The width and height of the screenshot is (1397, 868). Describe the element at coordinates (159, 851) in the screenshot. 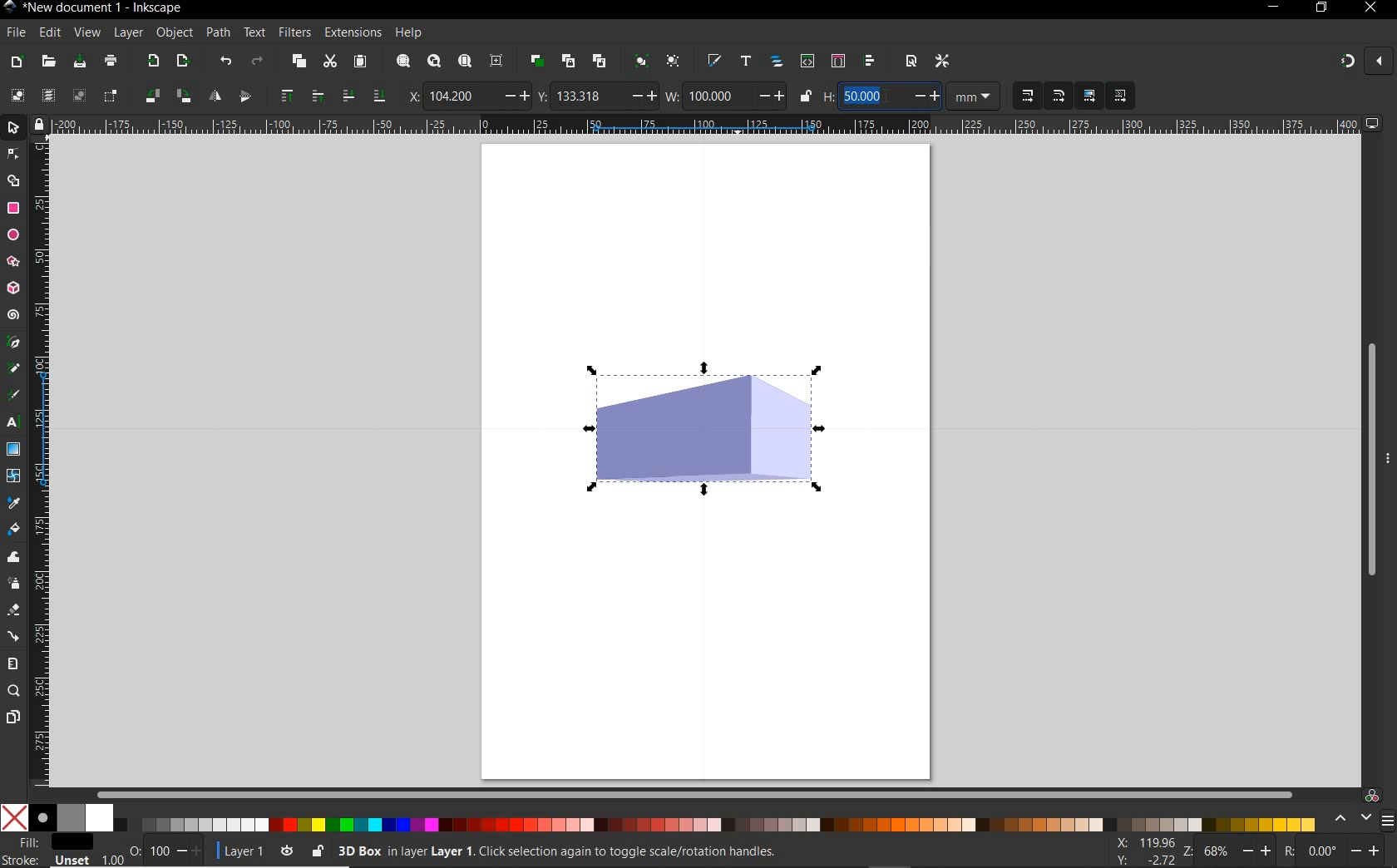

I see `100` at that location.